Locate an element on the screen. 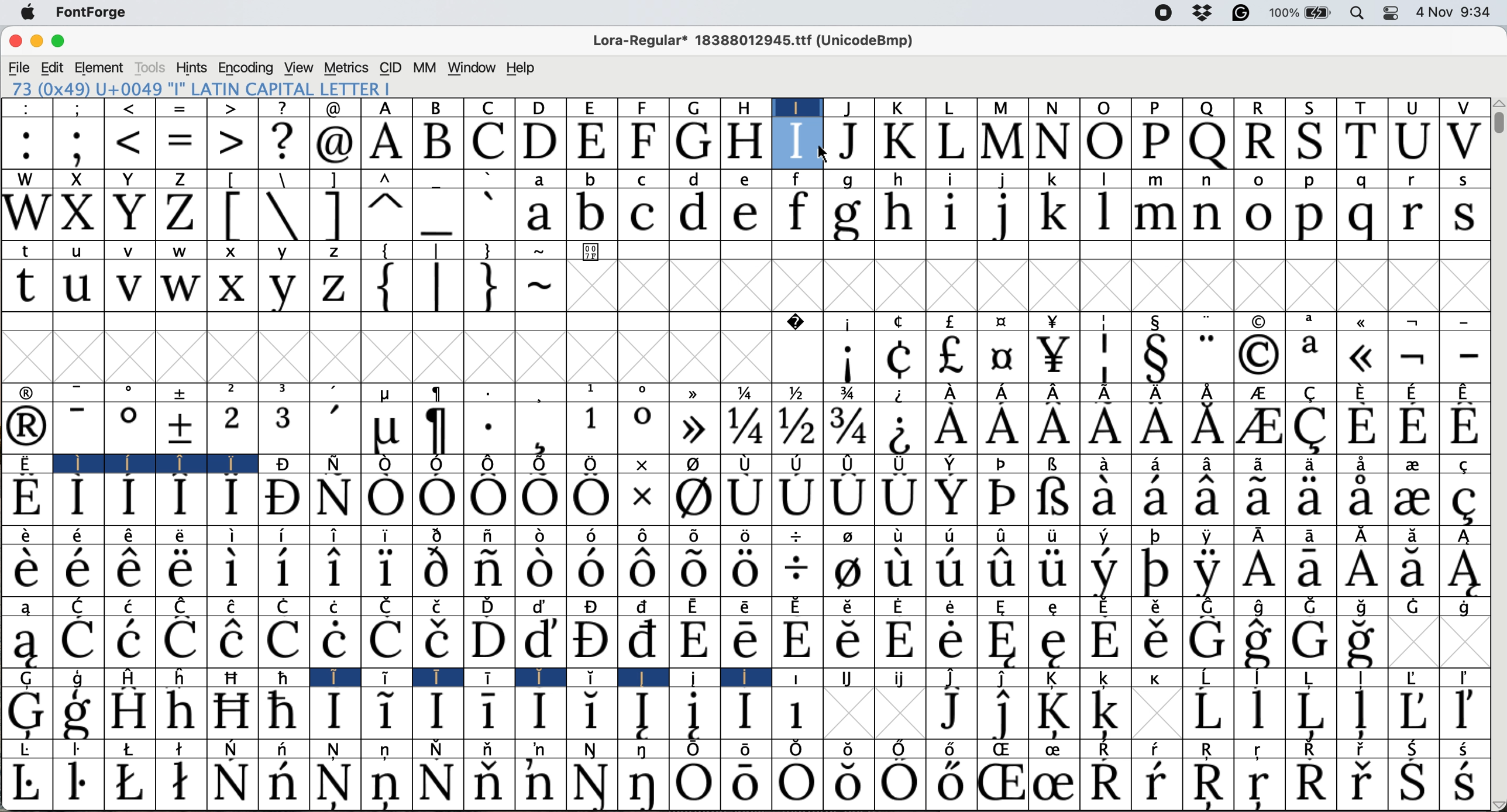 The width and height of the screenshot is (1507, 812). symbol is located at coordinates (541, 391).